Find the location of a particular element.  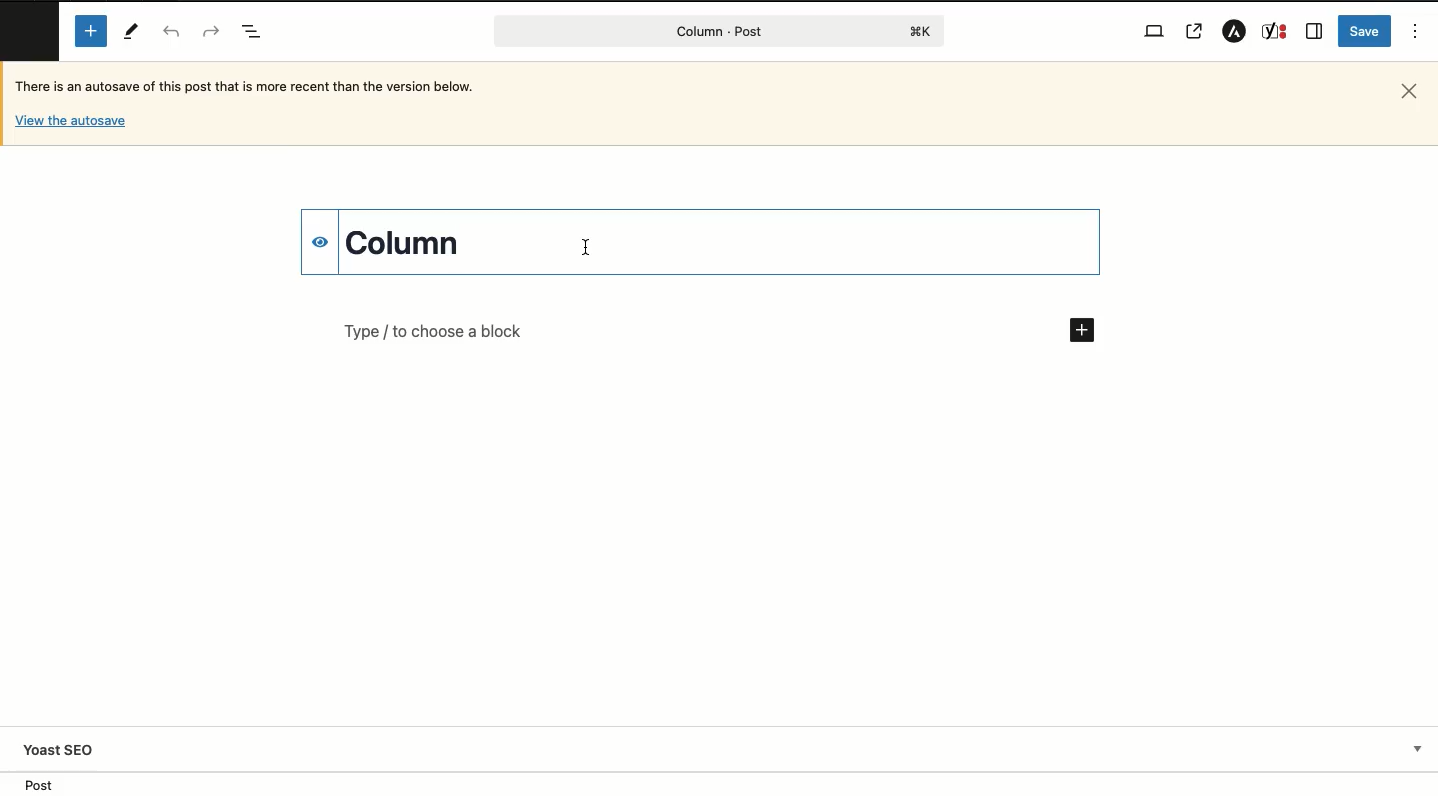

Options is located at coordinates (1417, 30).